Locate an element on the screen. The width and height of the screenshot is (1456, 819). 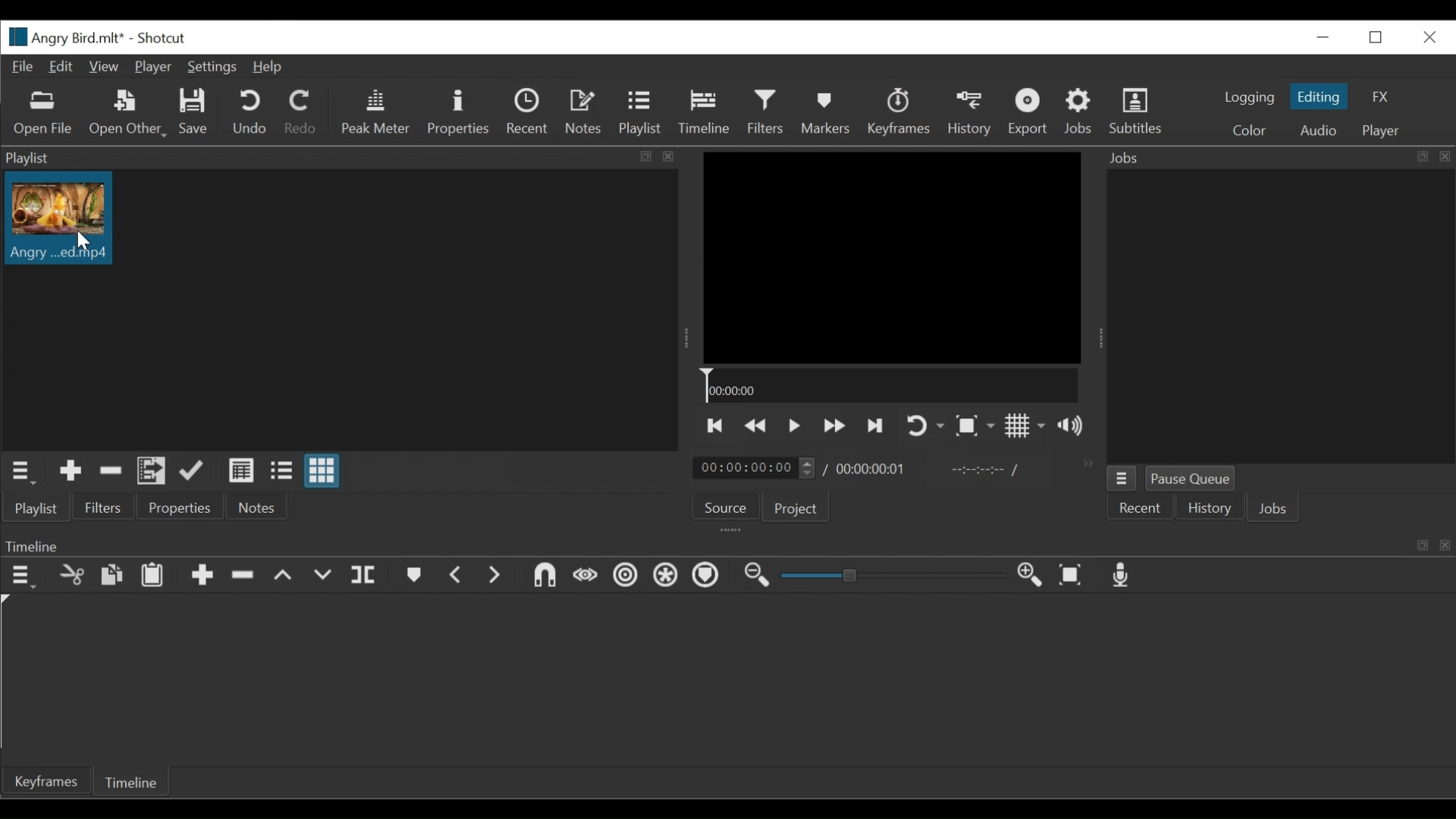
Scrub while dragging is located at coordinates (586, 576).